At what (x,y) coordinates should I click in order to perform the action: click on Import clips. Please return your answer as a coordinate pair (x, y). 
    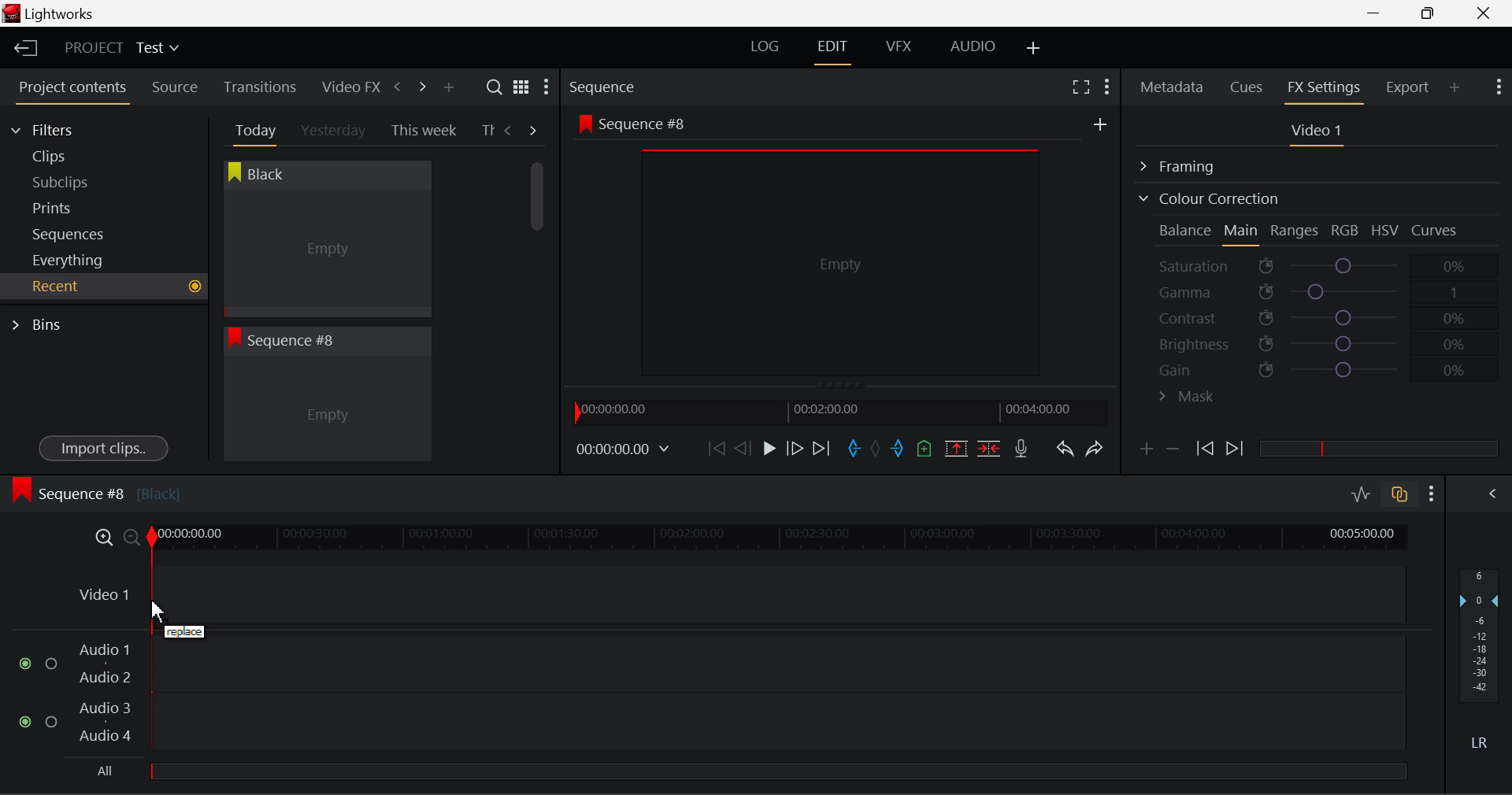
    Looking at the image, I should click on (103, 449).